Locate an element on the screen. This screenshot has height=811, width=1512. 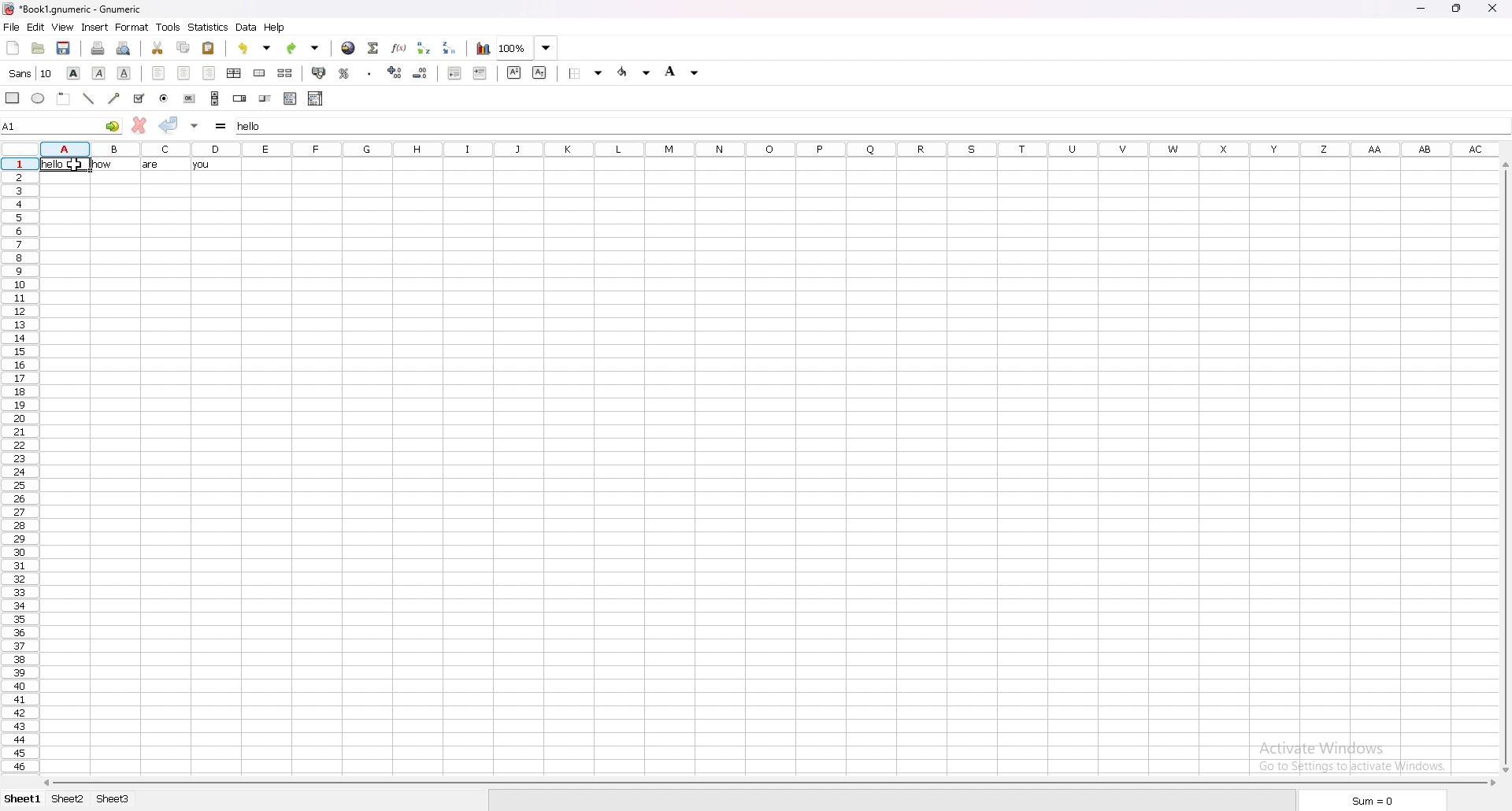
increase indent is located at coordinates (480, 74).